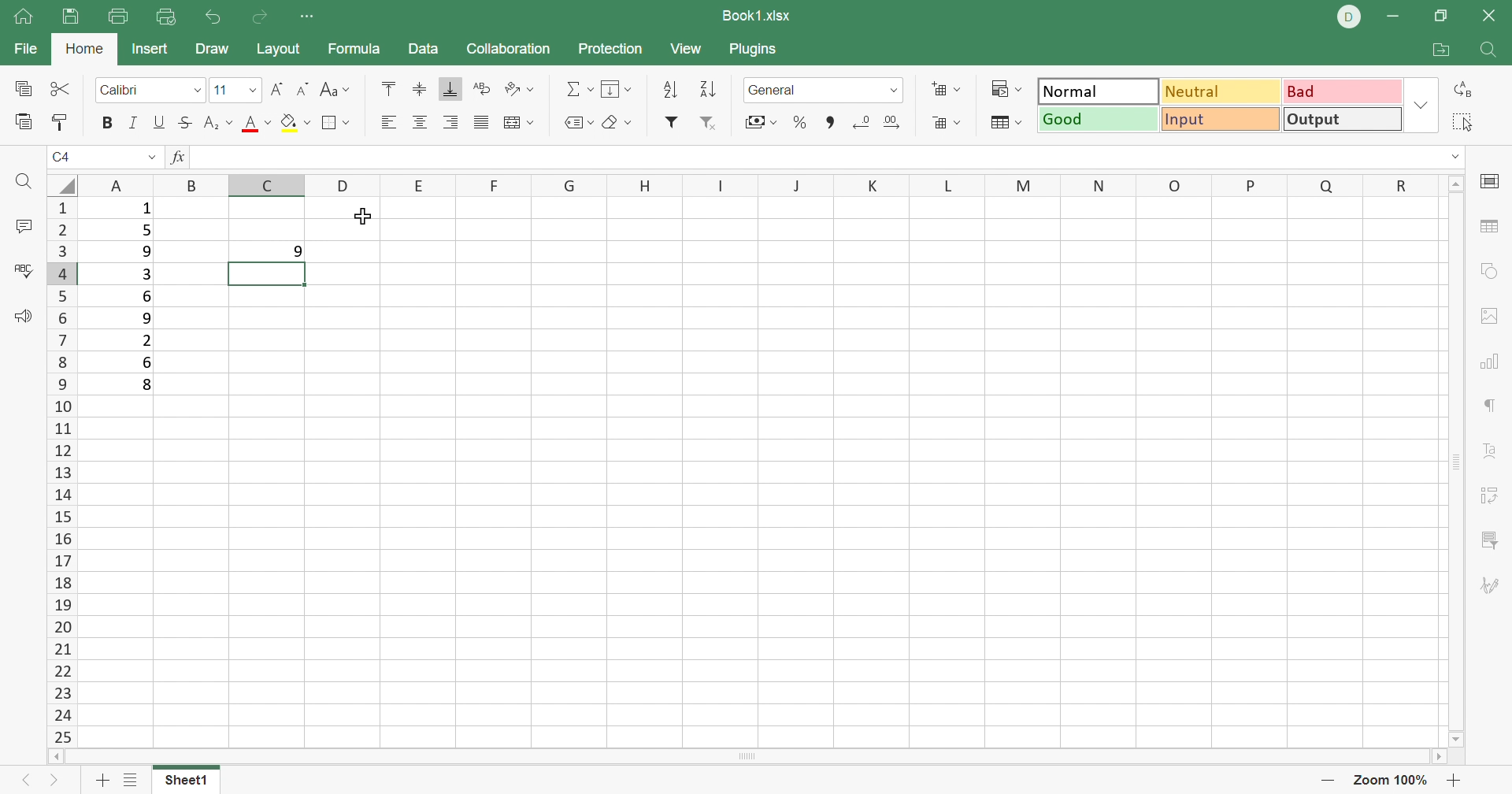  Describe the element at coordinates (305, 90) in the screenshot. I see `Decrement font size` at that location.